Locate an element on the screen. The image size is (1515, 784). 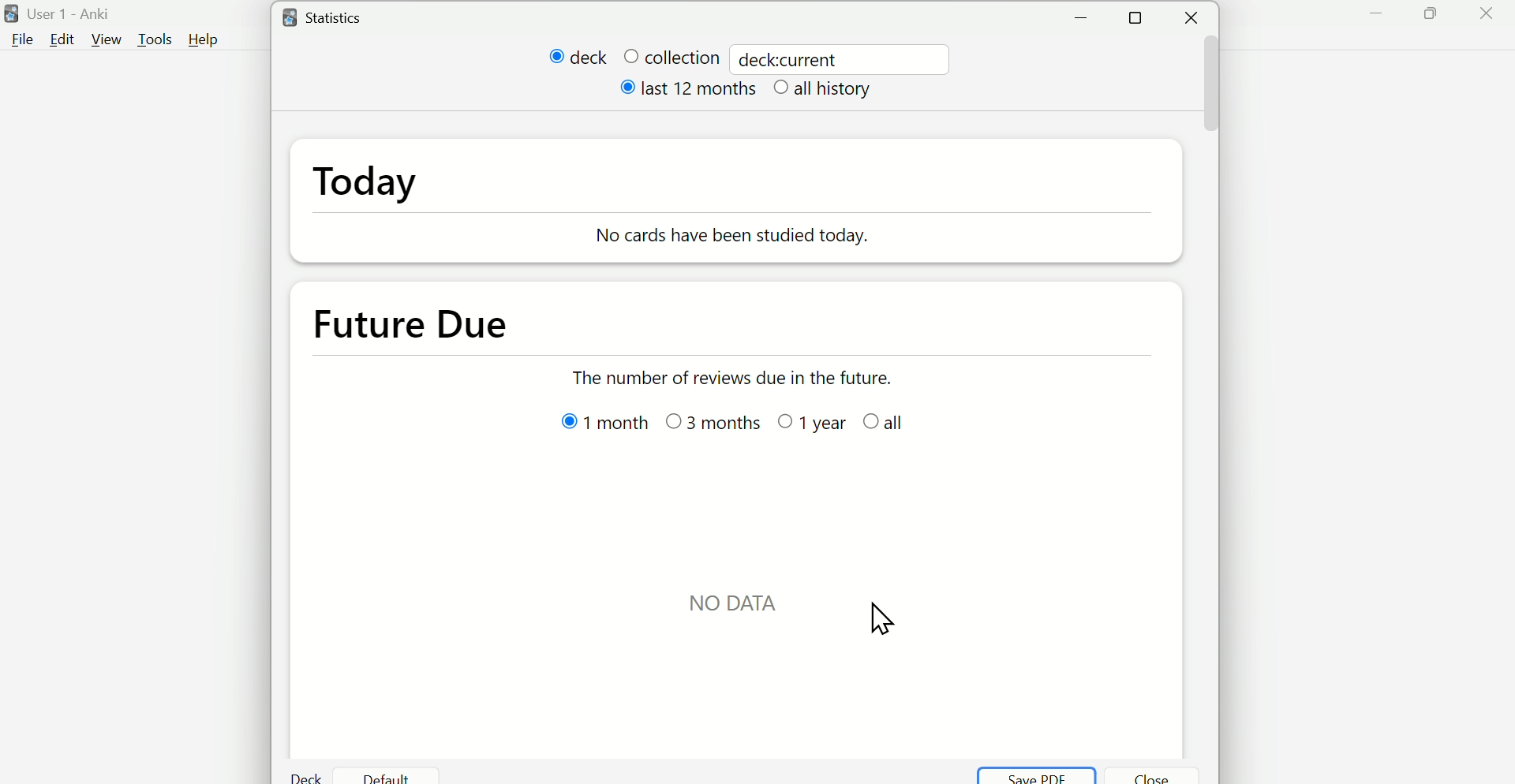
deck:current is located at coordinates (793, 62).